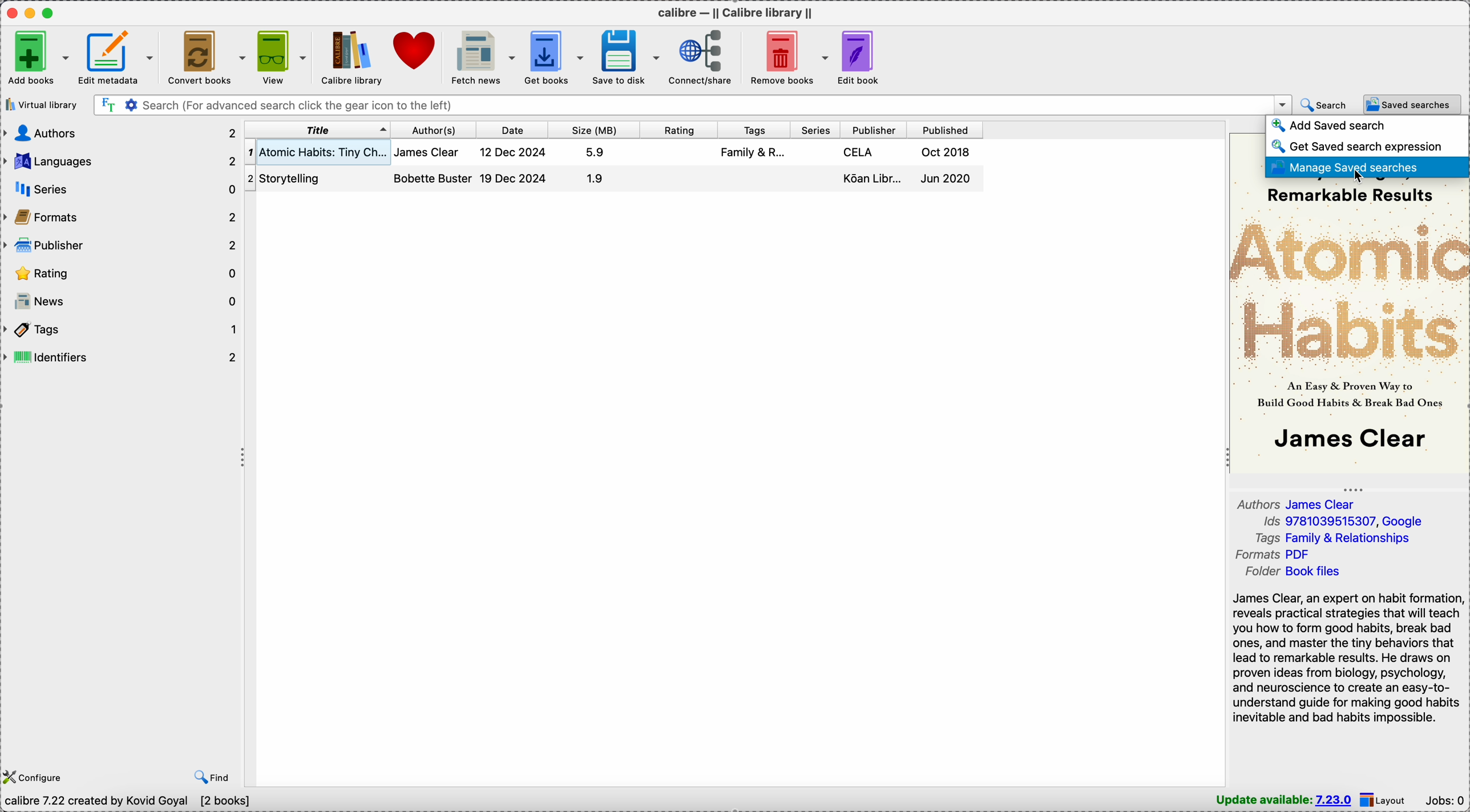 The width and height of the screenshot is (1470, 812). What do you see at coordinates (243, 458) in the screenshot?
I see `drag handle` at bounding box center [243, 458].